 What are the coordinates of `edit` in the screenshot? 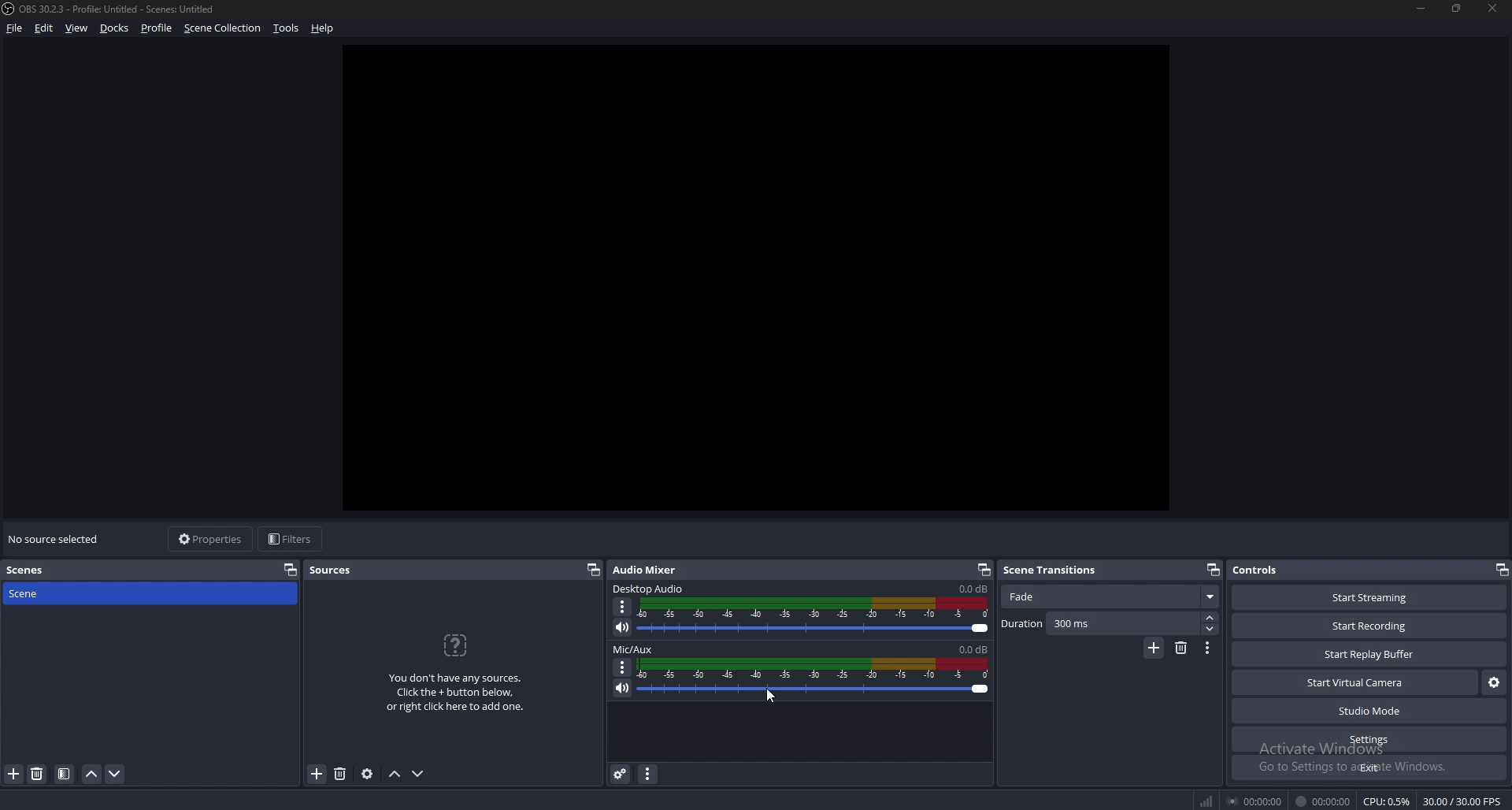 It's located at (44, 28).